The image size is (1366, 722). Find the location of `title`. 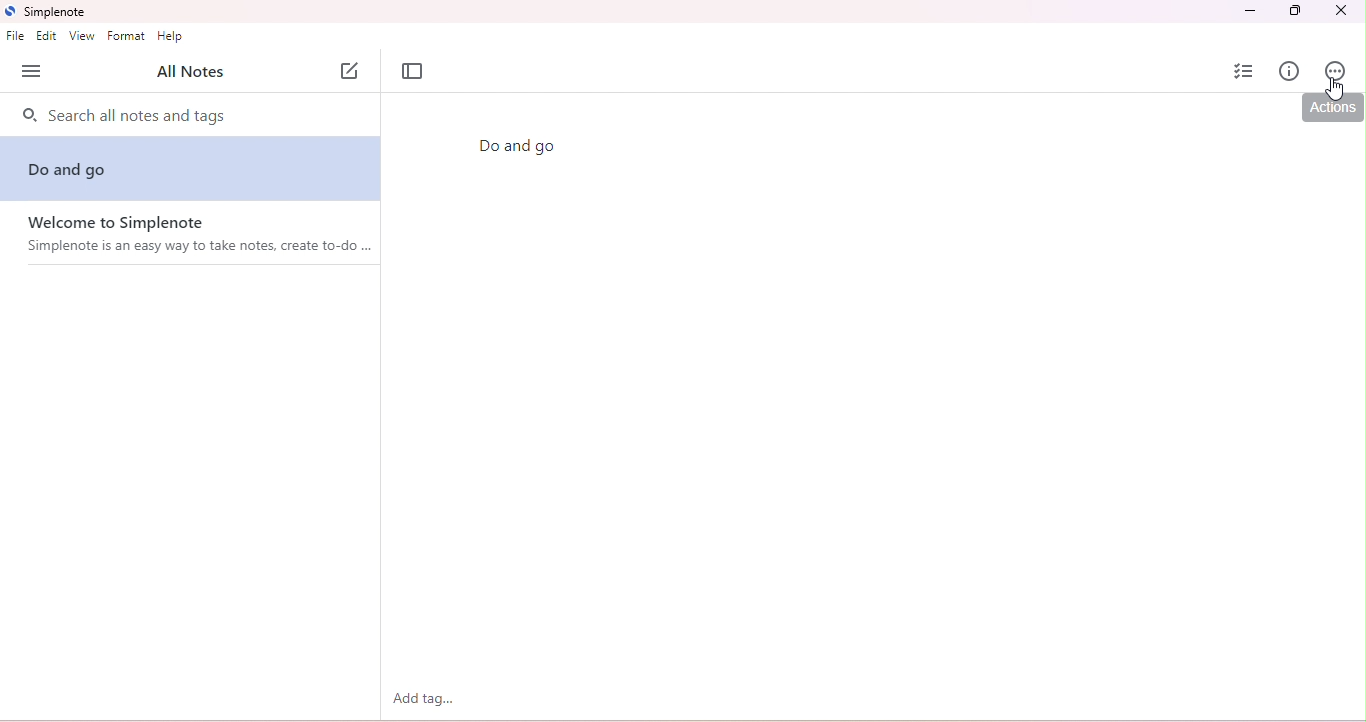

title is located at coordinates (48, 12).